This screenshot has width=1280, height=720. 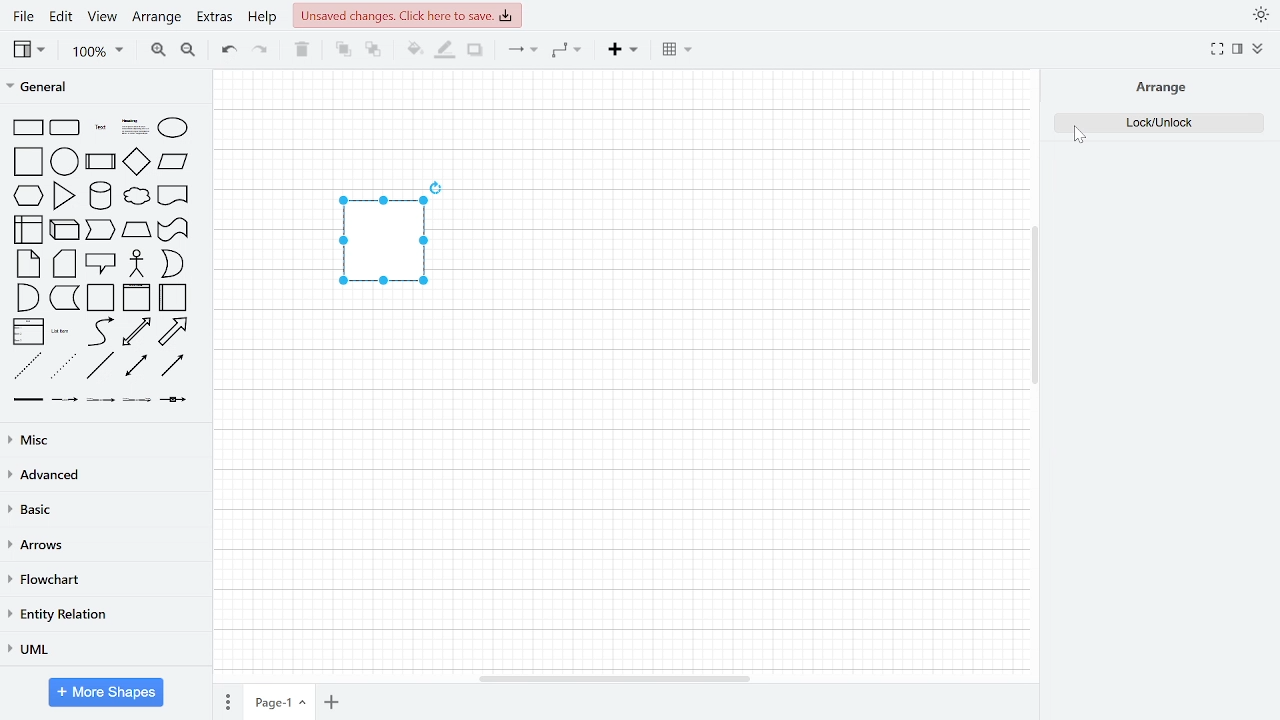 I want to click on file, so click(x=22, y=16).